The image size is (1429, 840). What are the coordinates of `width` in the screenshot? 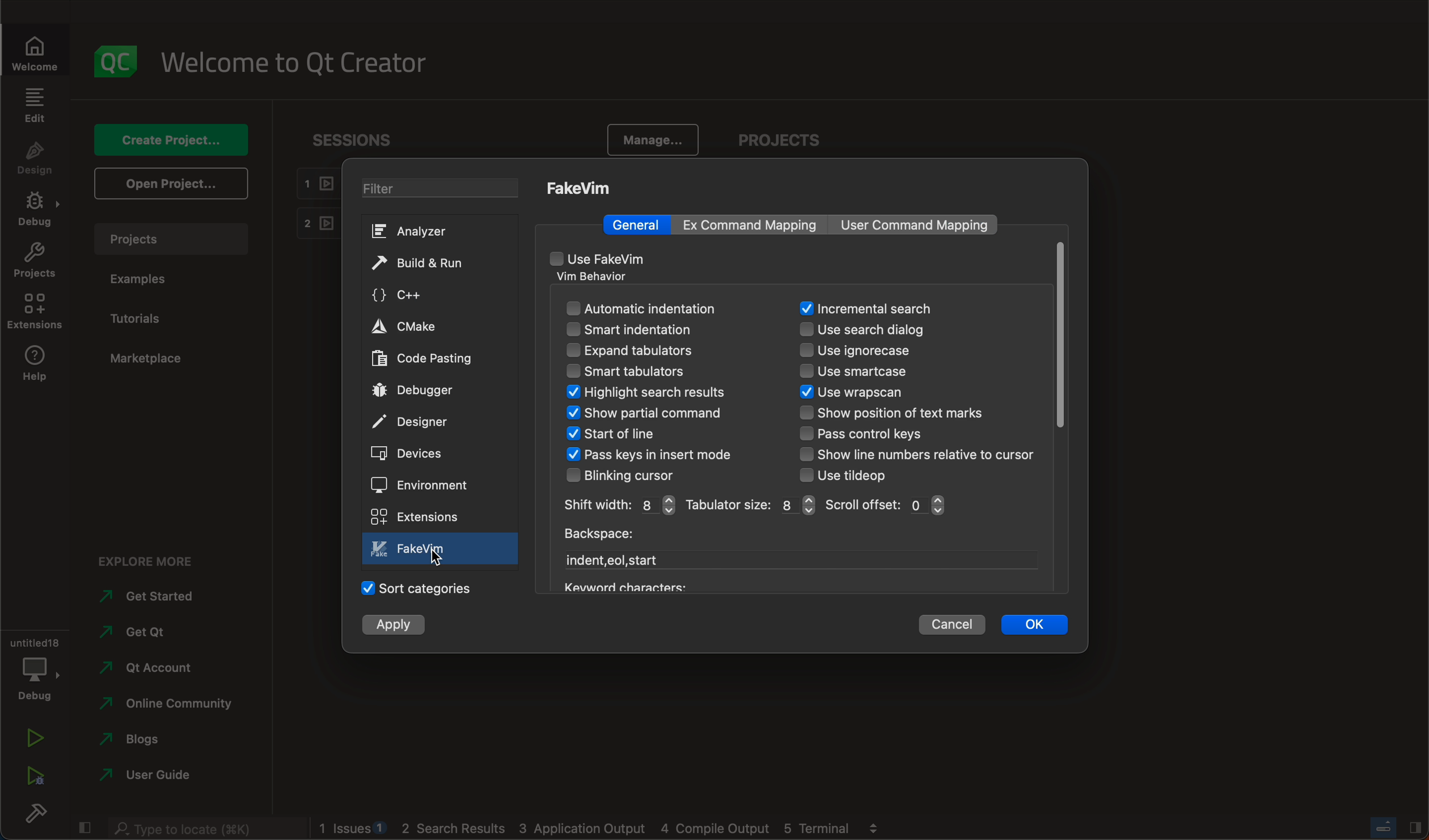 It's located at (618, 506).